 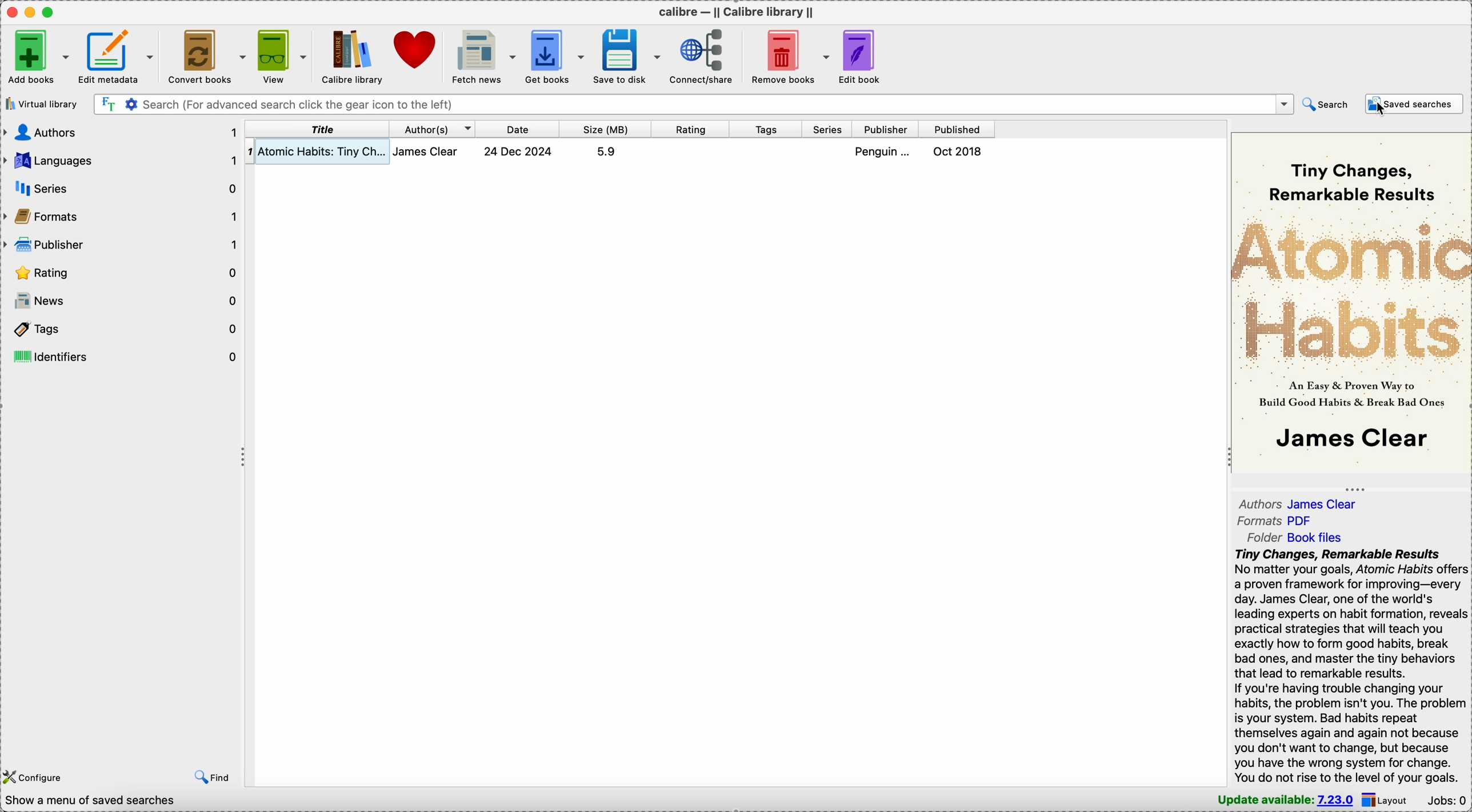 What do you see at coordinates (1275, 522) in the screenshot?
I see `formats PDF` at bounding box center [1275, 522].